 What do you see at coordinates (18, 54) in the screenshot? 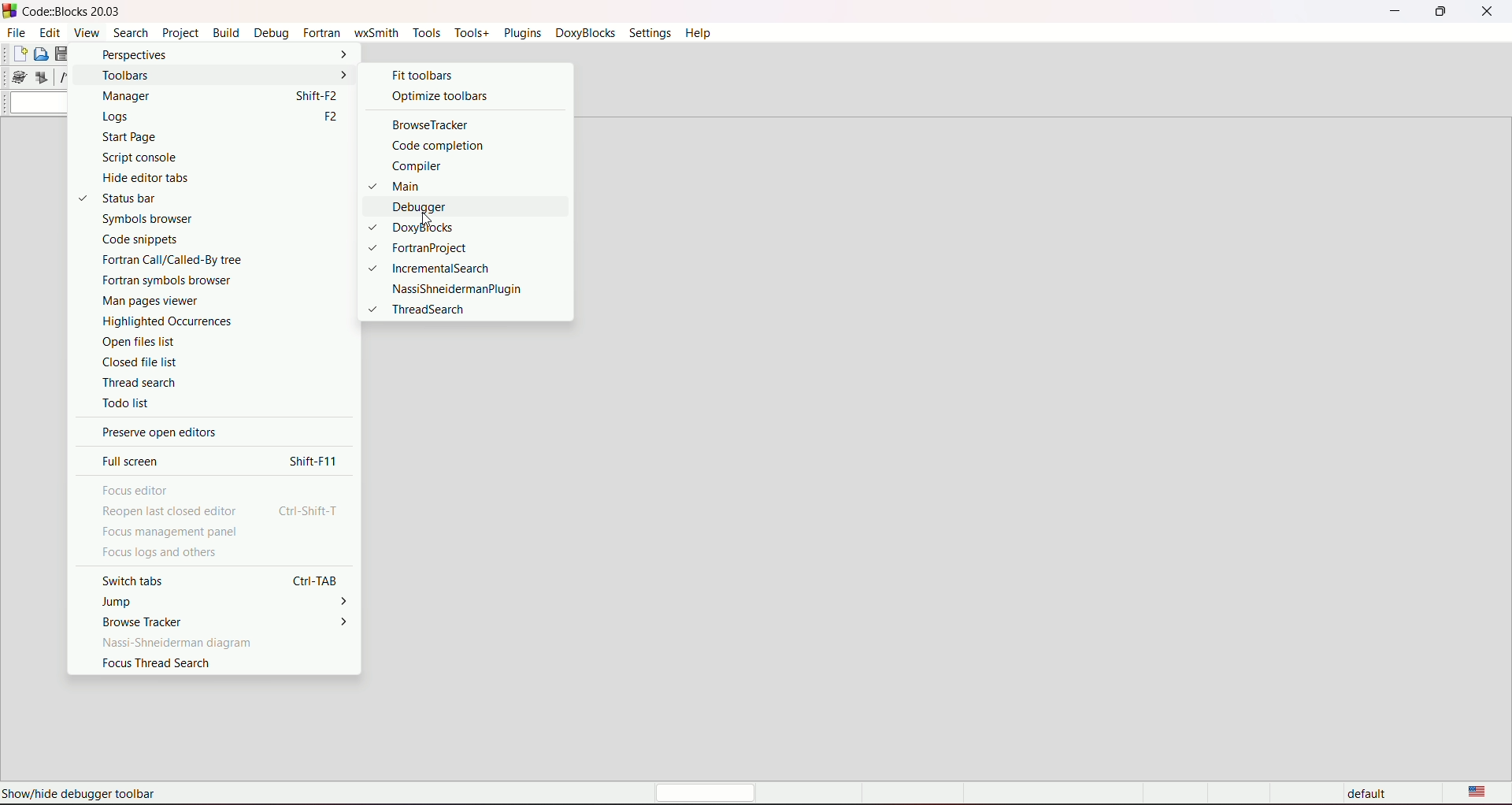
I see `new file` at bounding box center [18, 54].